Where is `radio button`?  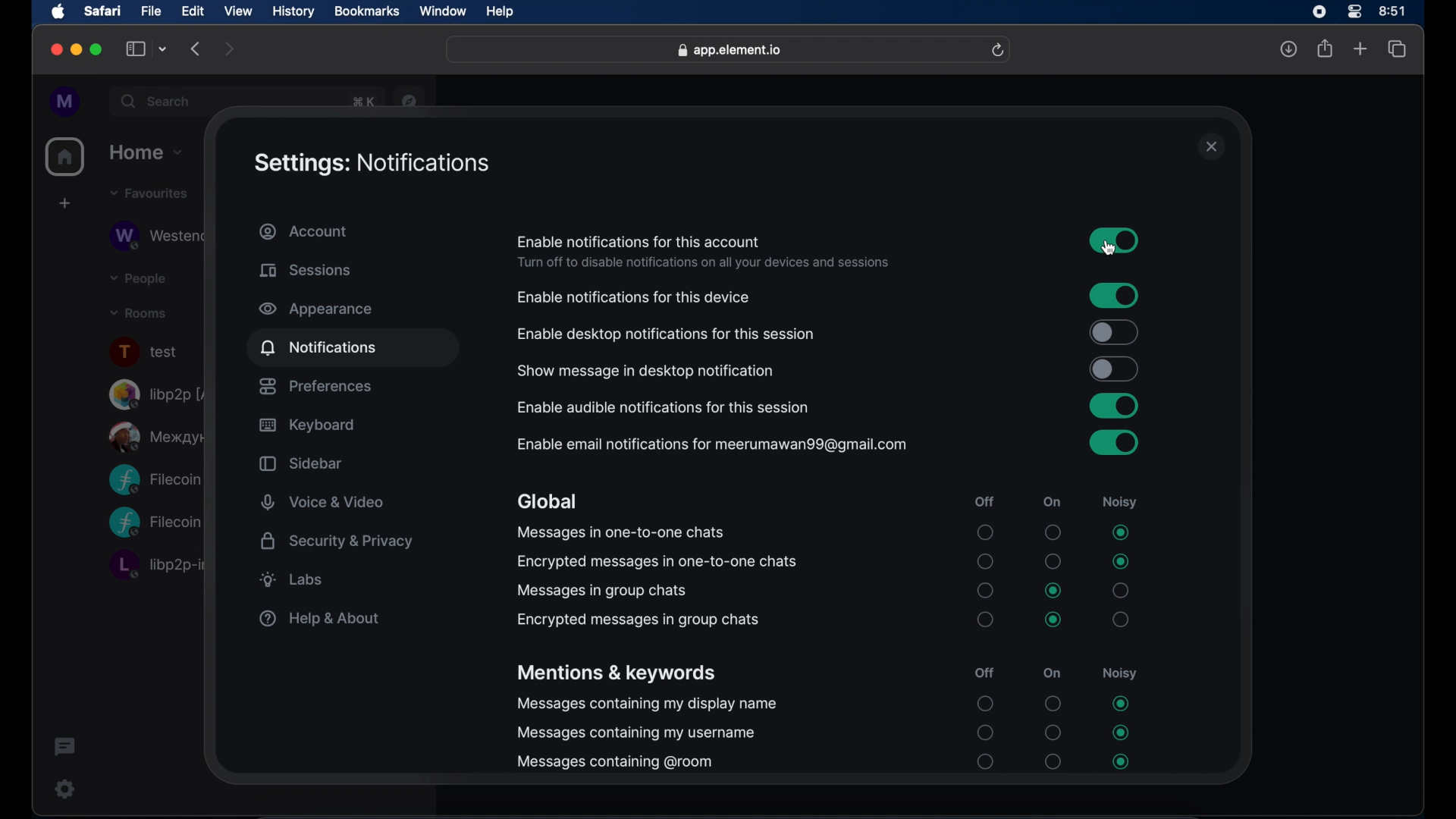 radio button is located at coordinates (1053, 562).